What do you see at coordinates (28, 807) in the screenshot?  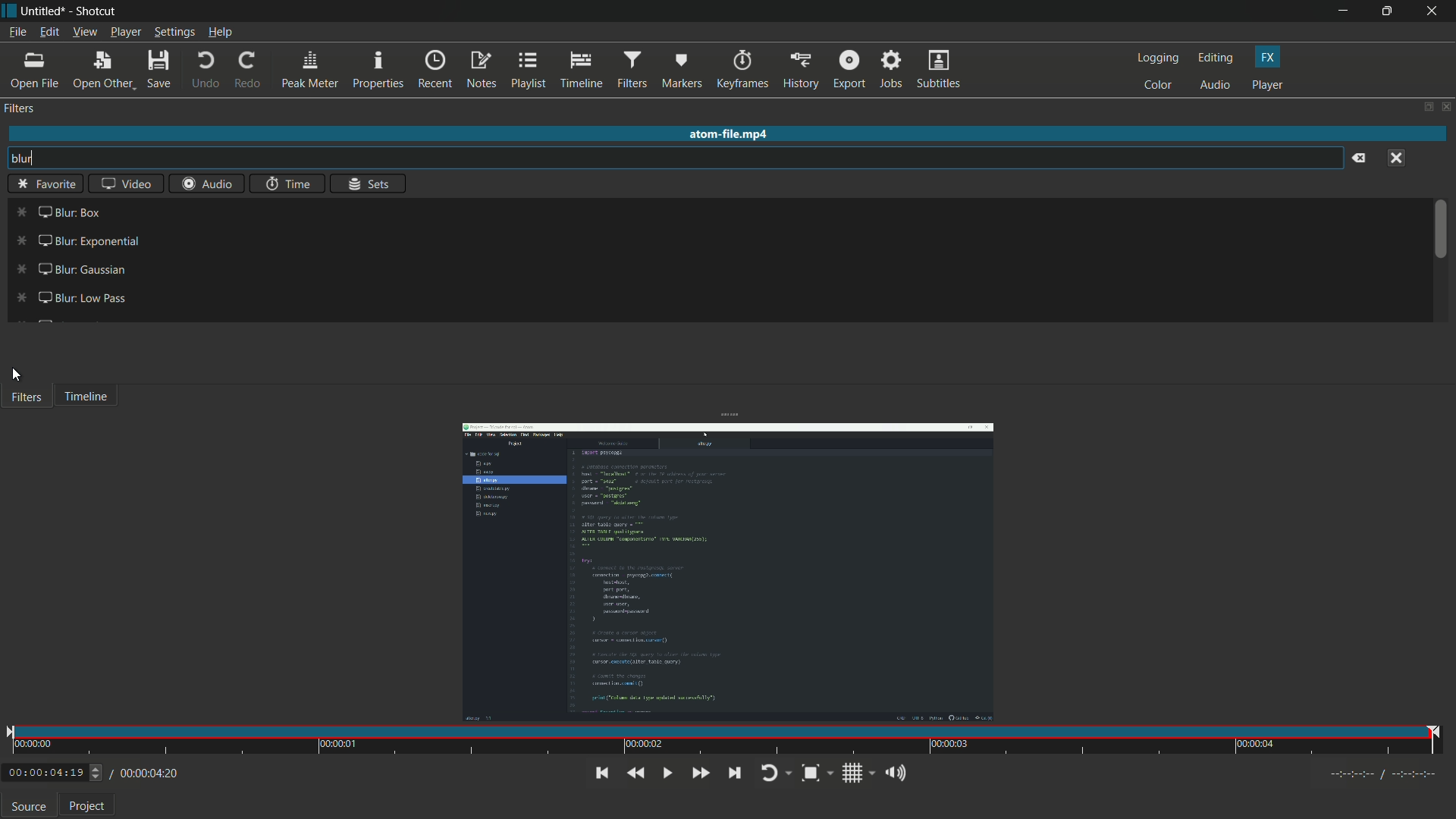 I see `source` at bounding box center [28, 807].